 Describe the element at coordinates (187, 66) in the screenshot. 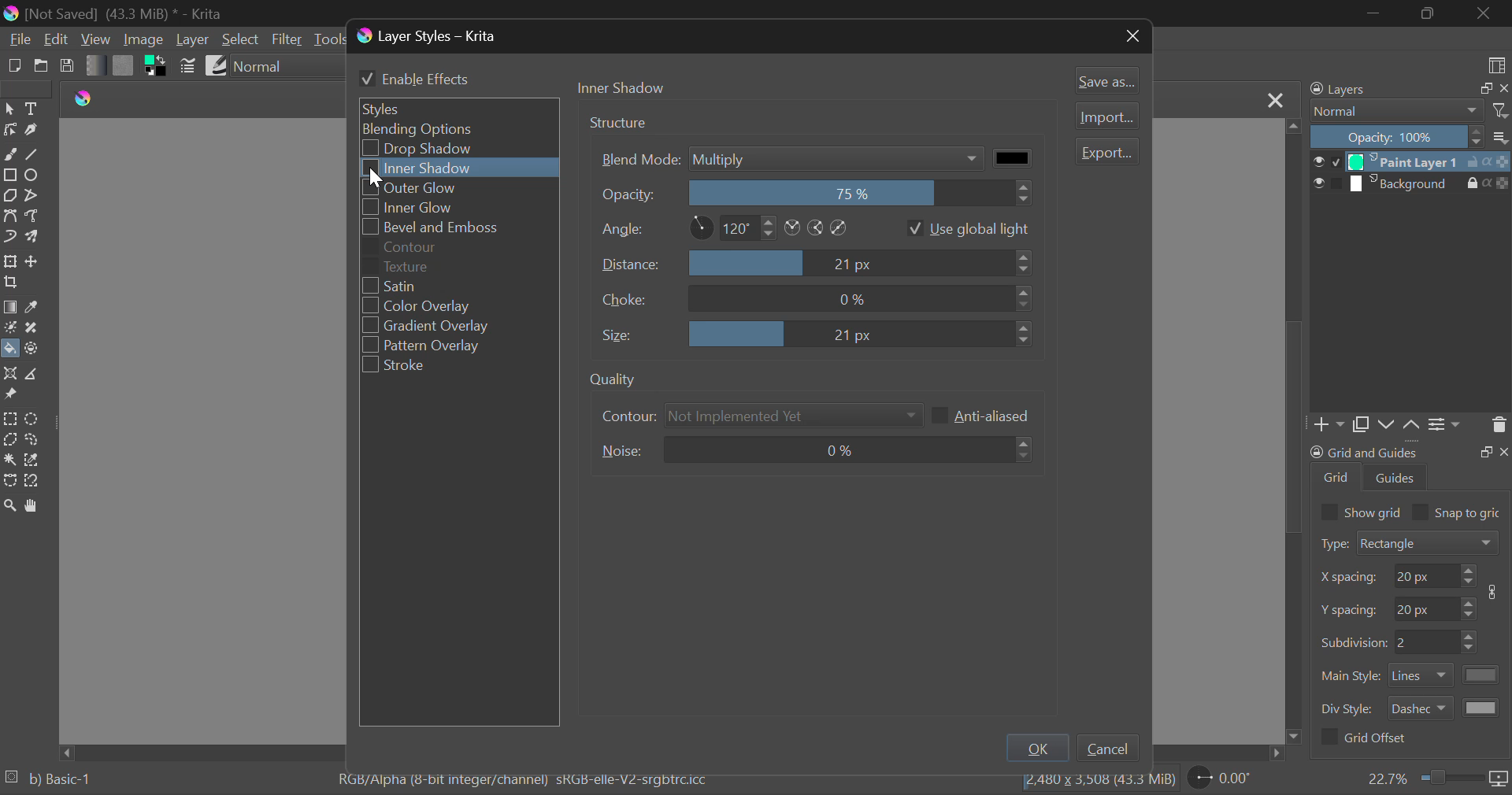

I see `Brush Settings` at that location.